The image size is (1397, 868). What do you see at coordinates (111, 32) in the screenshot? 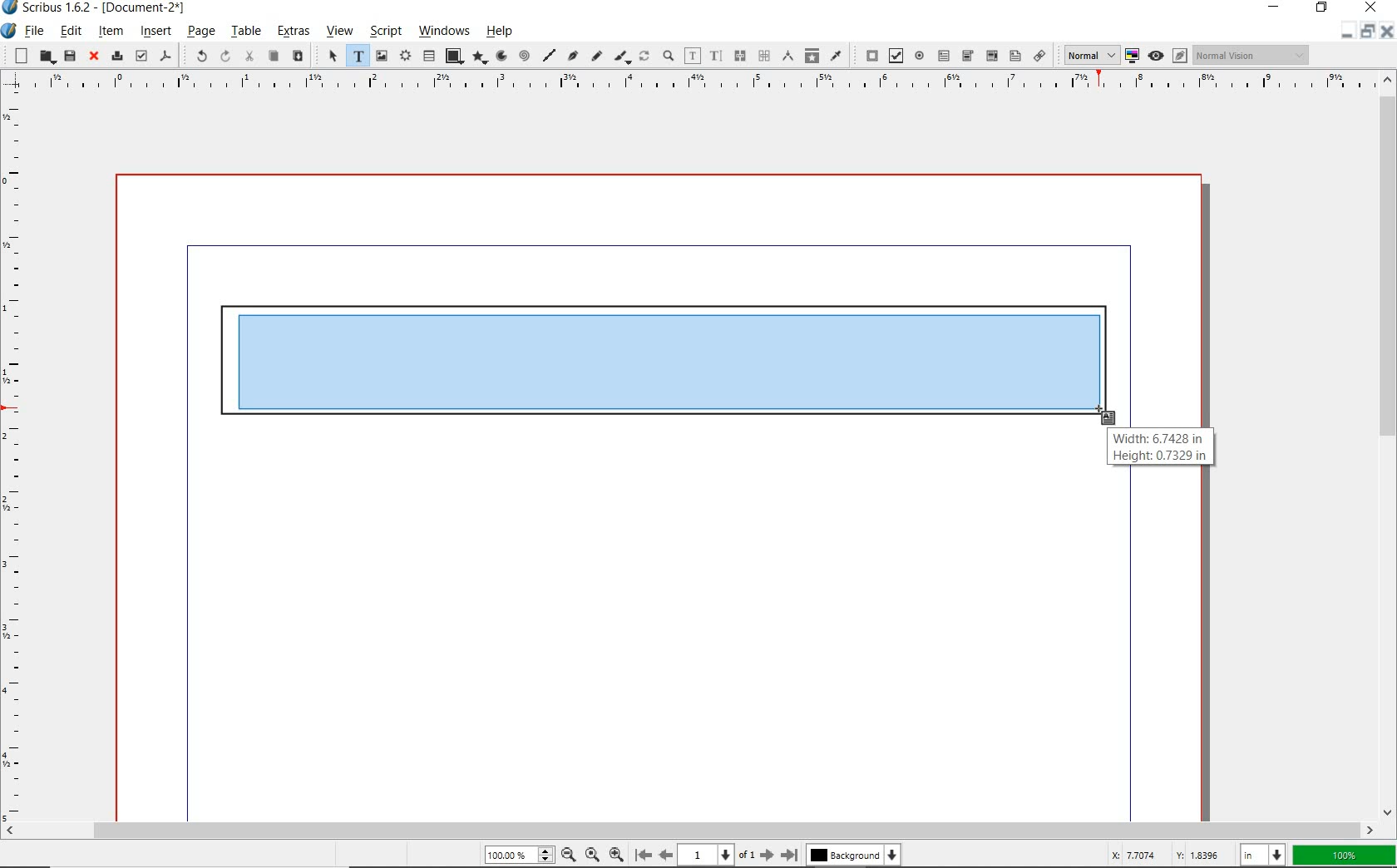
I see `item` at bounding box center [111, 32].